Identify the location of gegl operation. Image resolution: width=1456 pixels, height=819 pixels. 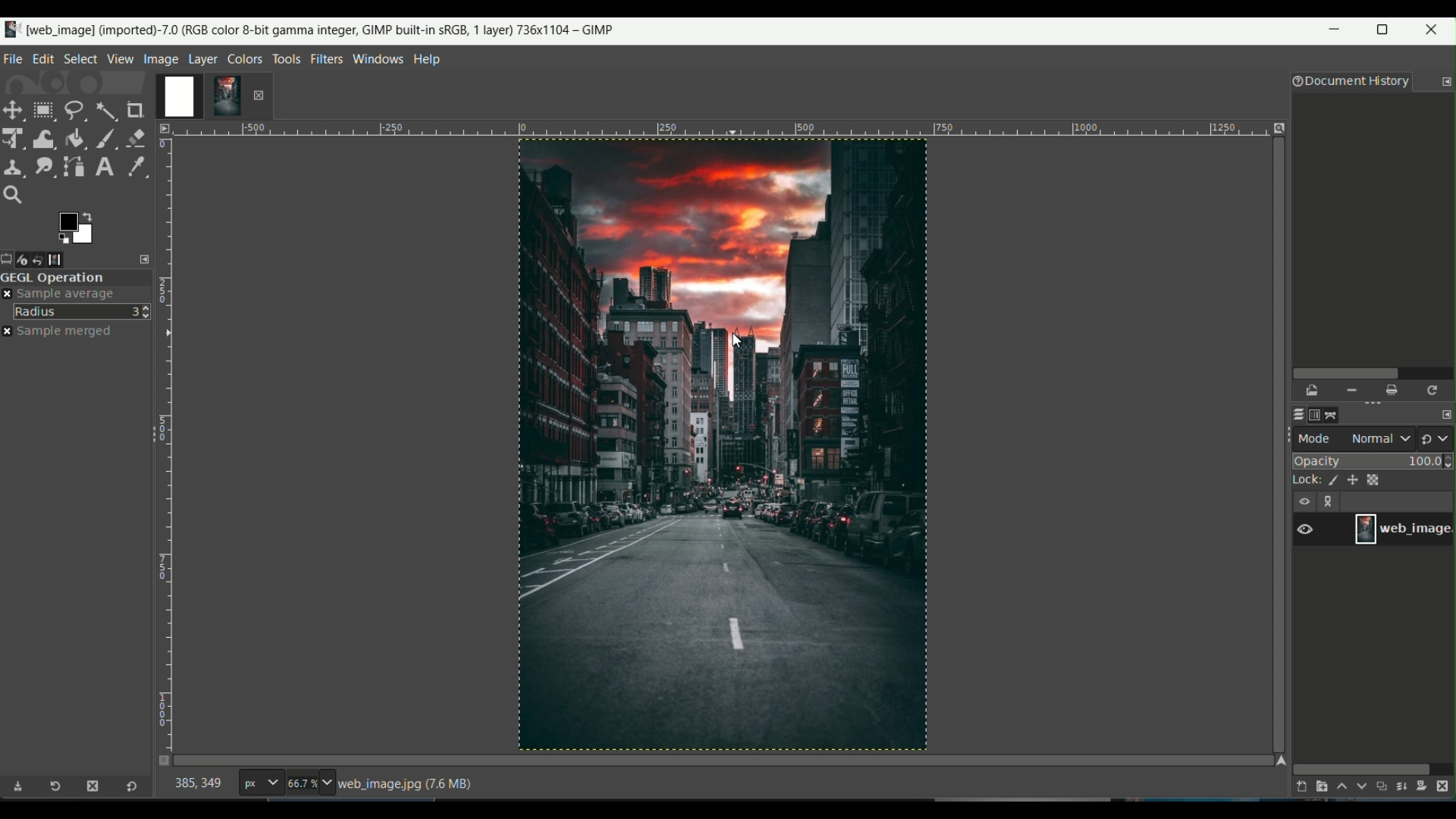
(76, 278).